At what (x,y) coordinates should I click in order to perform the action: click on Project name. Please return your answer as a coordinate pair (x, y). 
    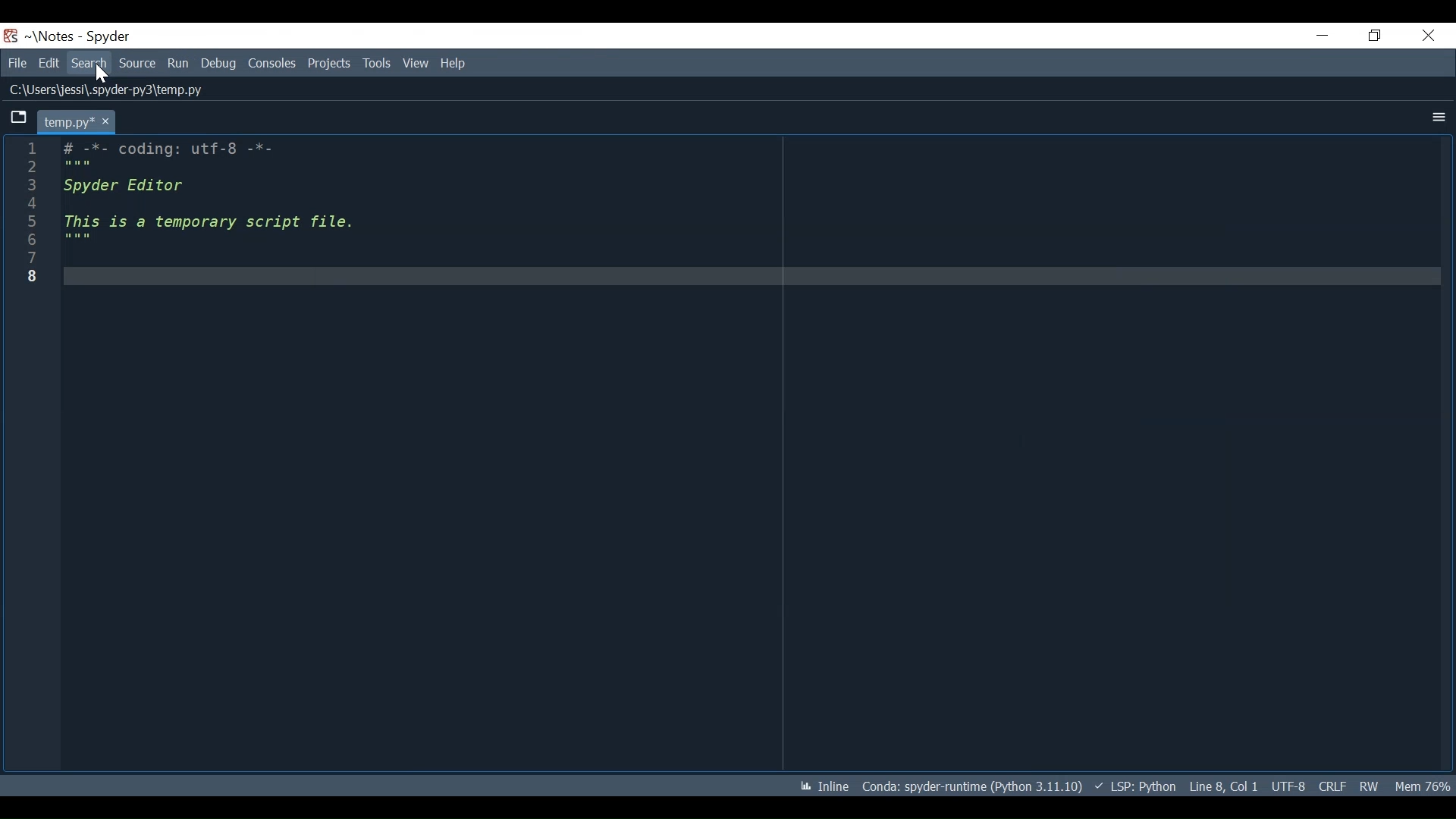
    Looking at the image, I should click on (49, 36).